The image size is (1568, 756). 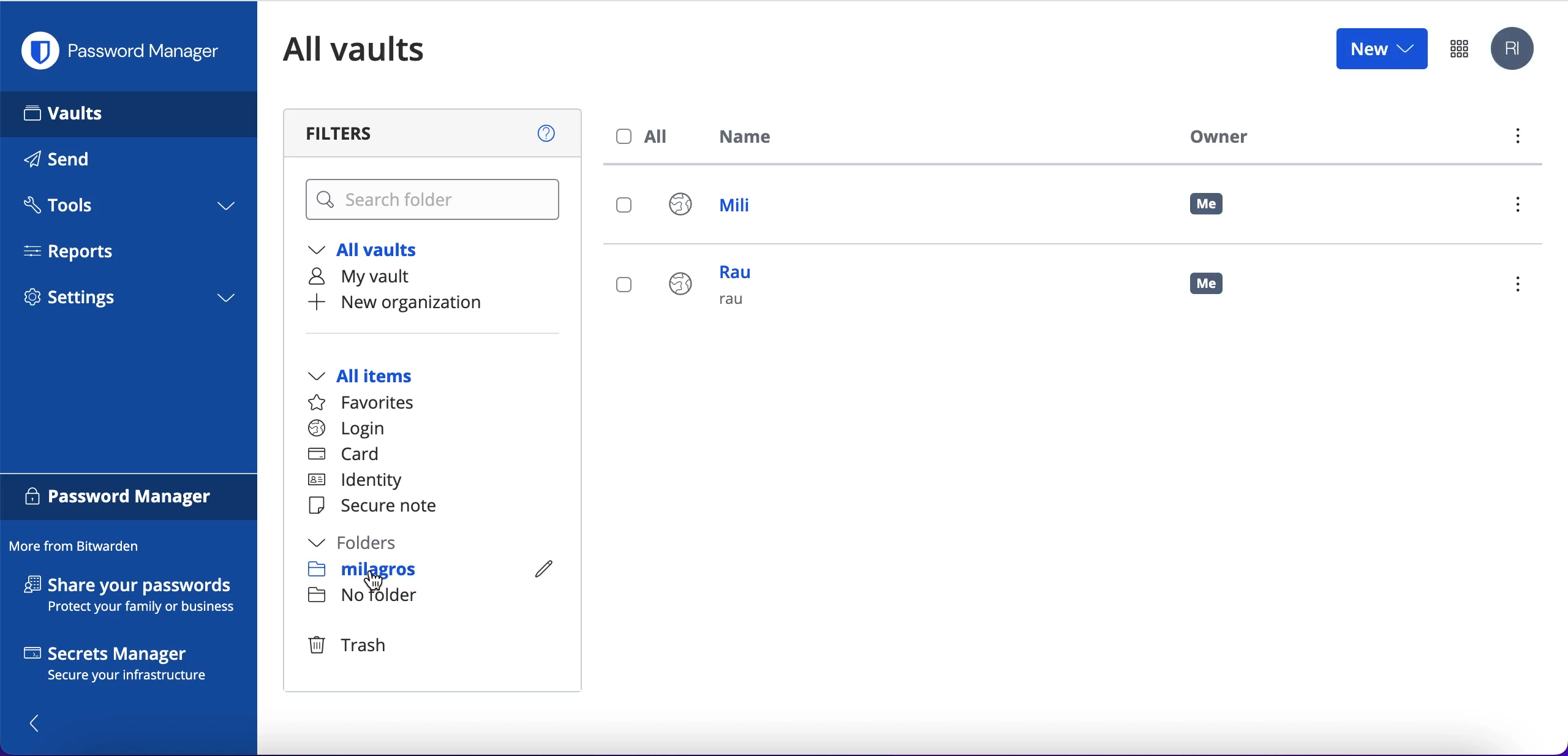 I want to click on search vault, so click(x=435, y=200).